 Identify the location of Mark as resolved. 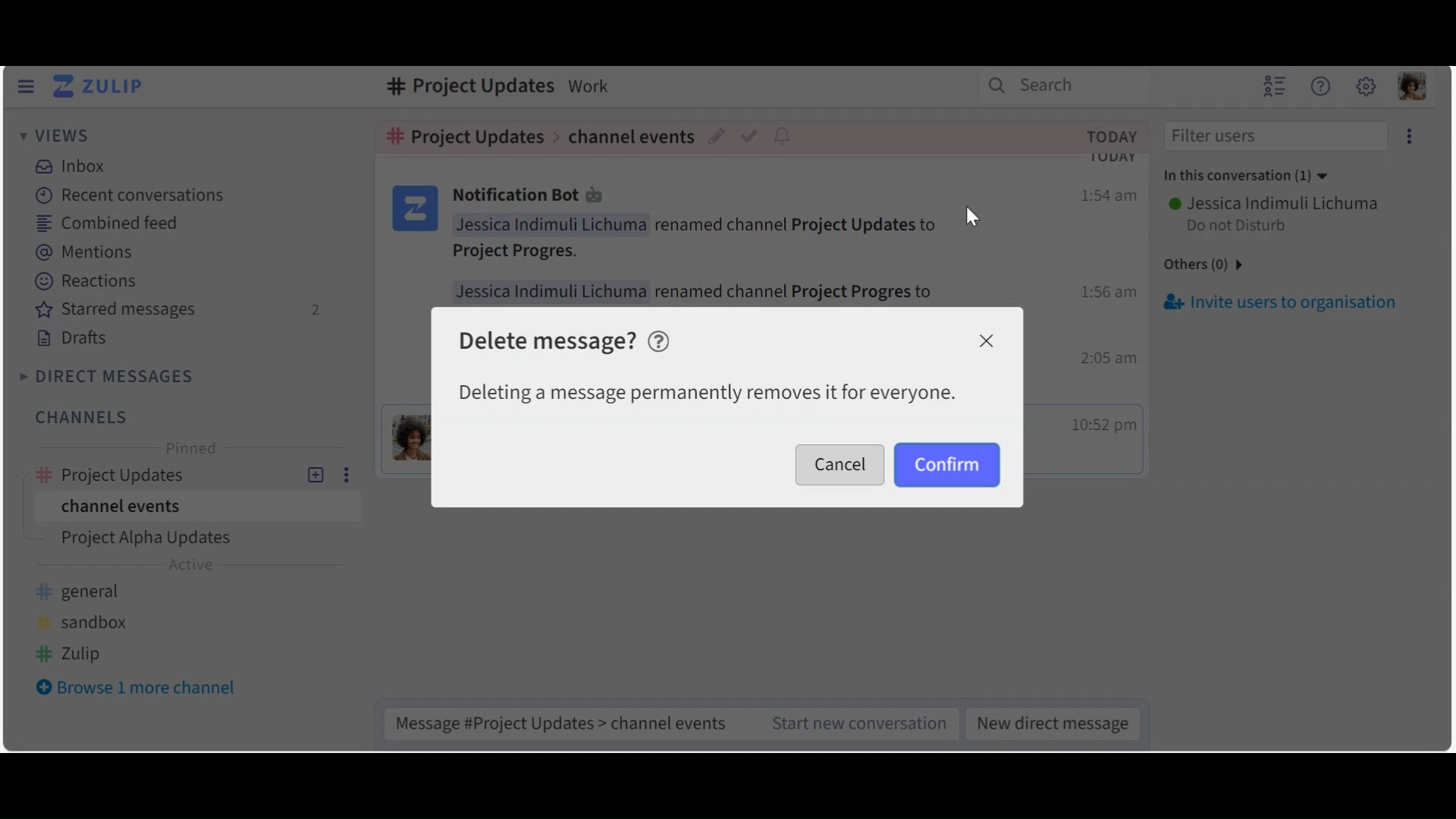
(752, 136).